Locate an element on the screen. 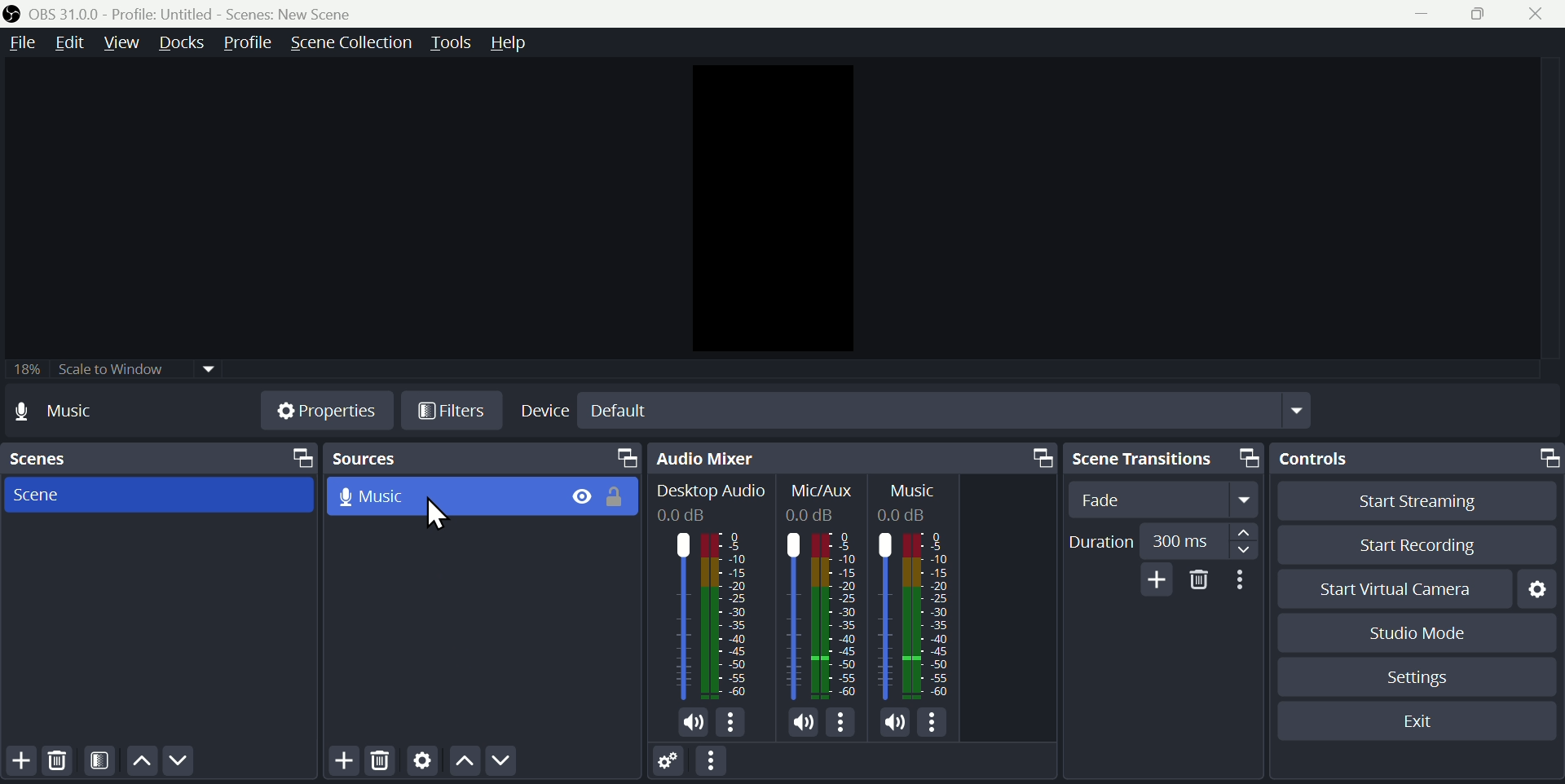  Move up is located at coordinates (463, 762).